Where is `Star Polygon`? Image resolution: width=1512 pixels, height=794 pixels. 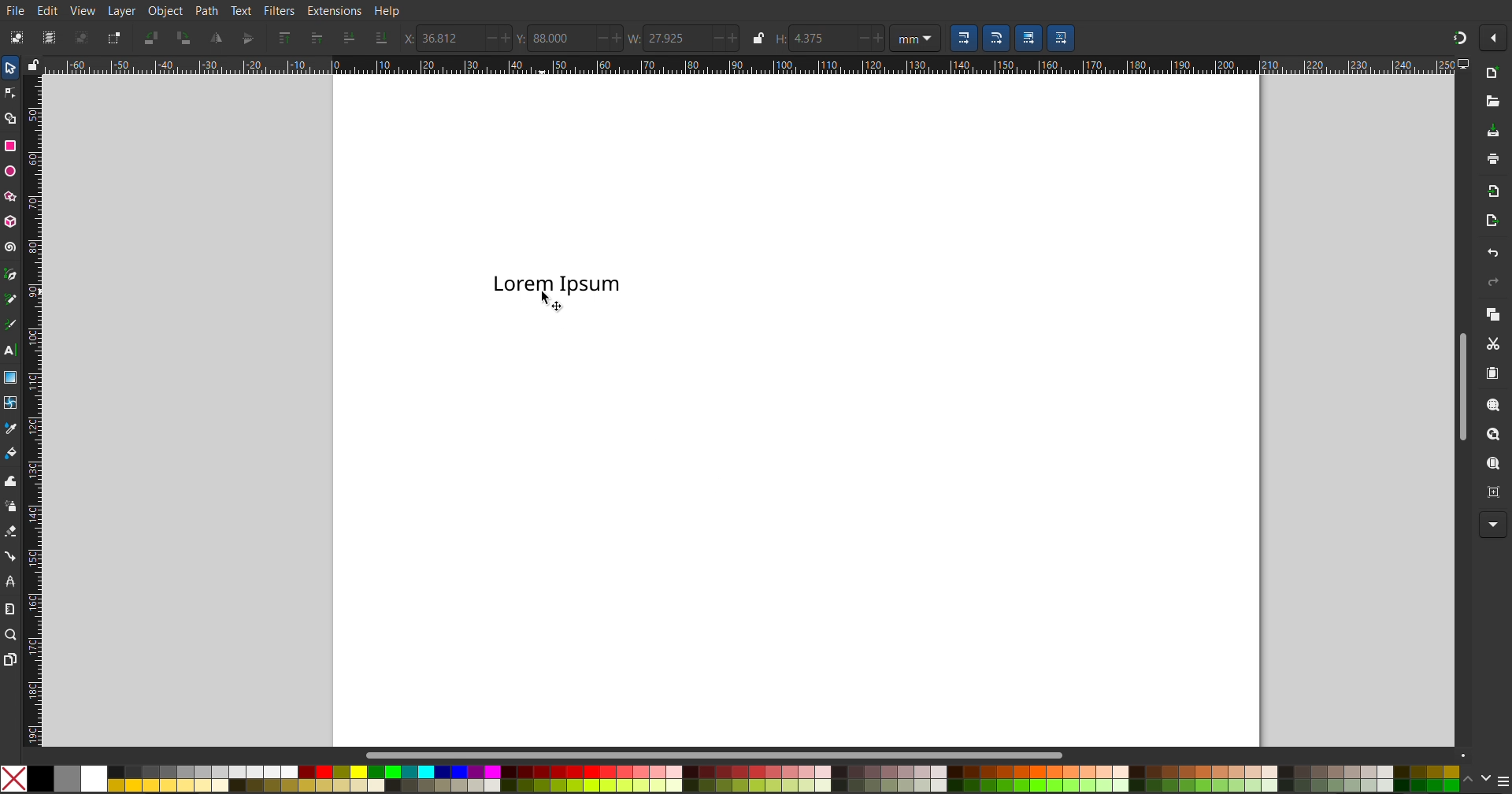 Star Polygon is located at coordinates (13, 194).